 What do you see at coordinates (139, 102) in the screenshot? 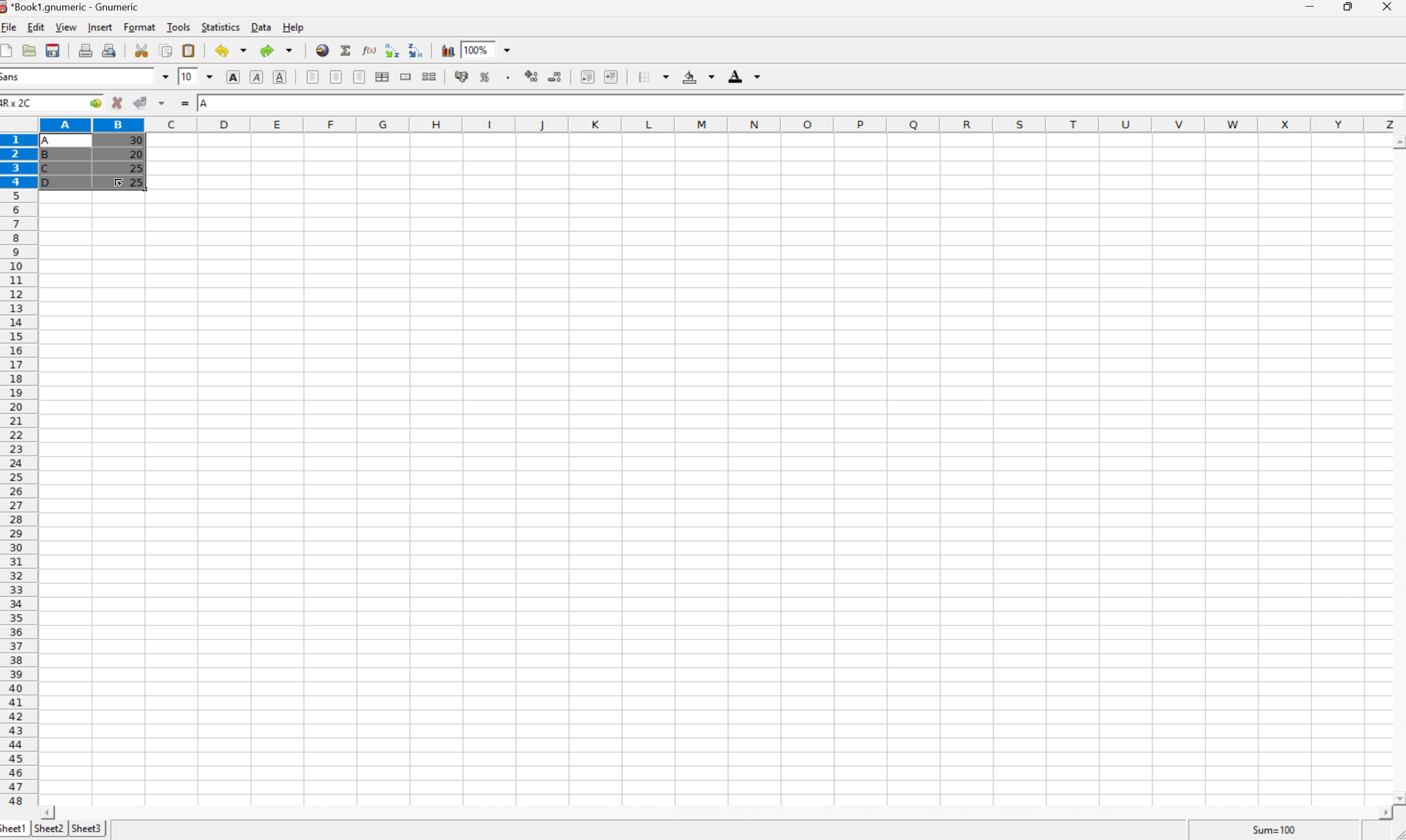
I see `Accept Changes` at bounding box center [139, 102].